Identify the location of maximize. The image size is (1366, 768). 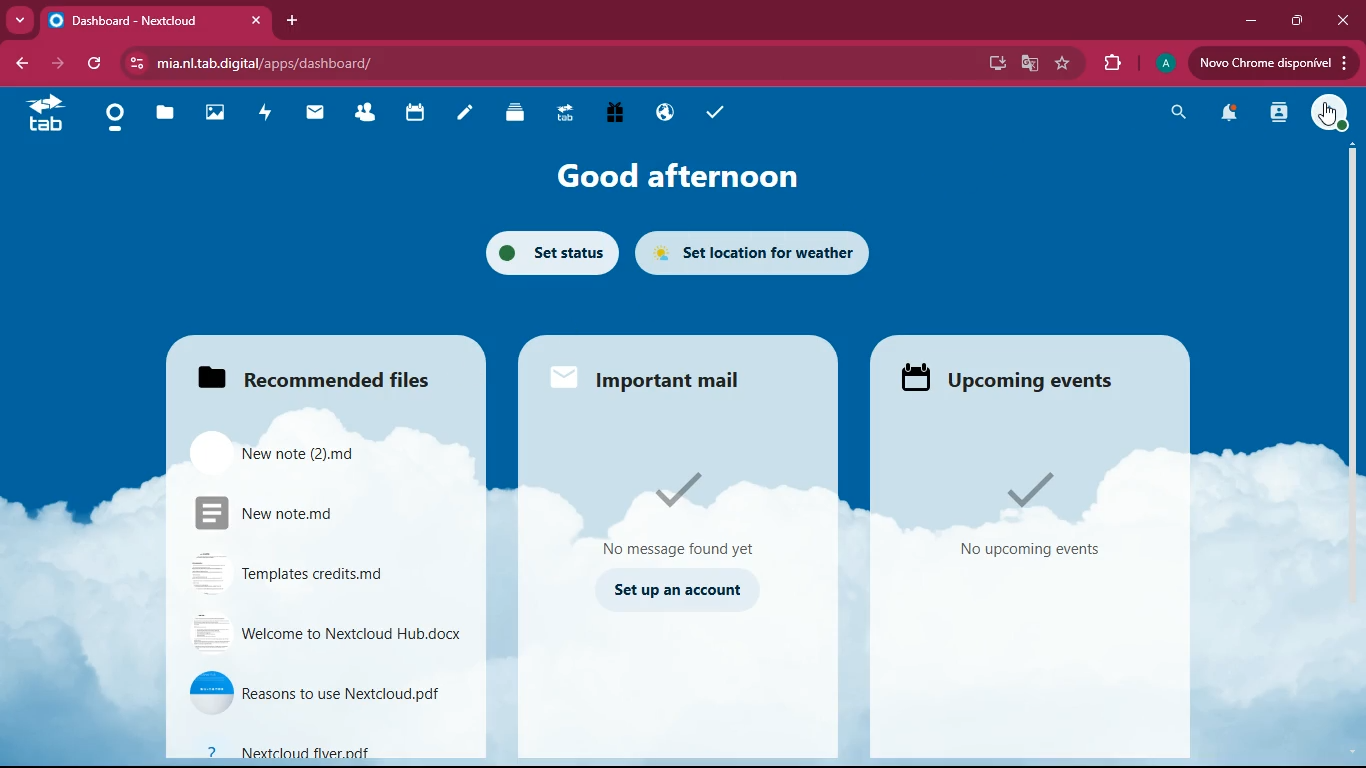
(1299, 21).